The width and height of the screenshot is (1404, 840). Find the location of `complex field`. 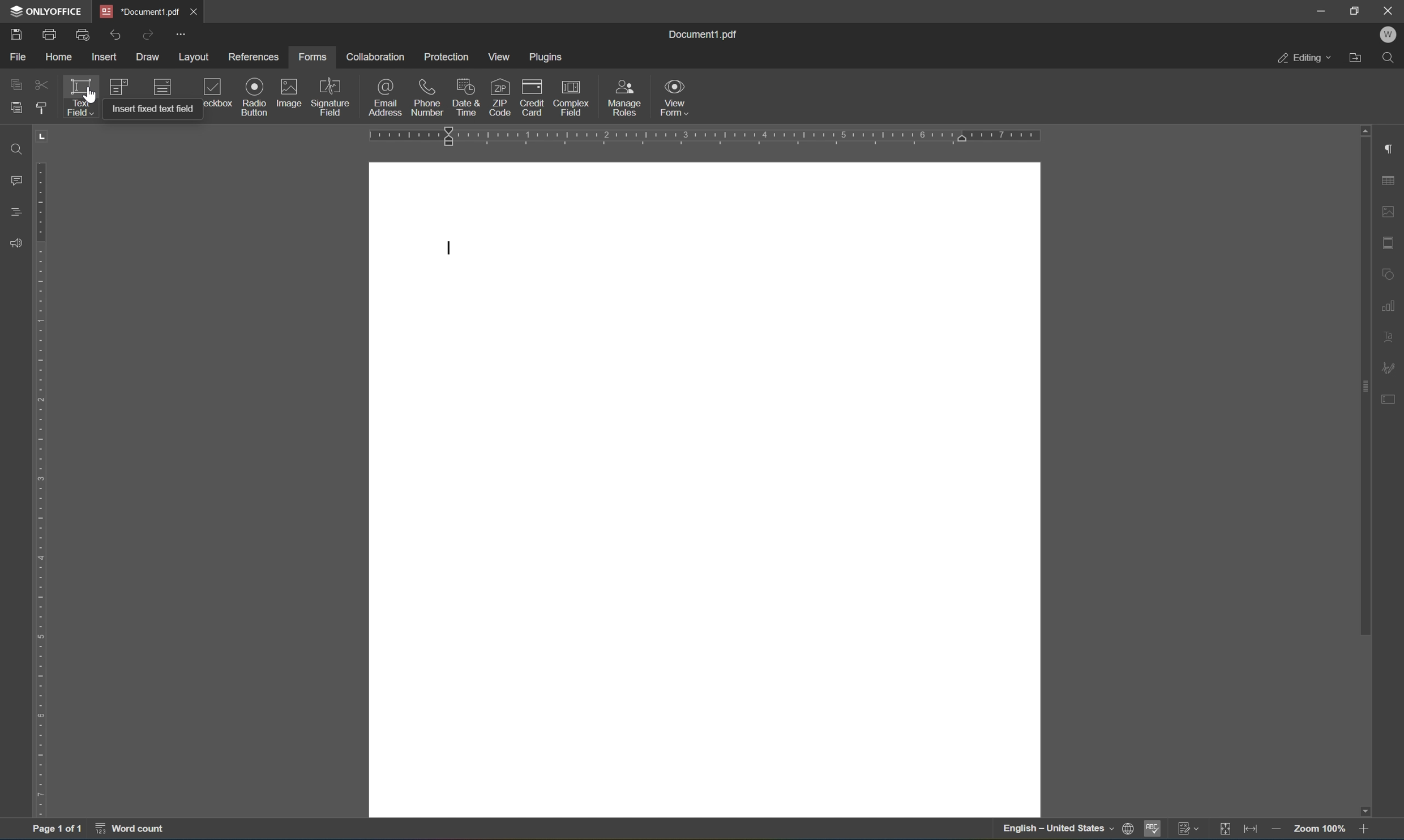

complex field is located at coordinates (571, 97).